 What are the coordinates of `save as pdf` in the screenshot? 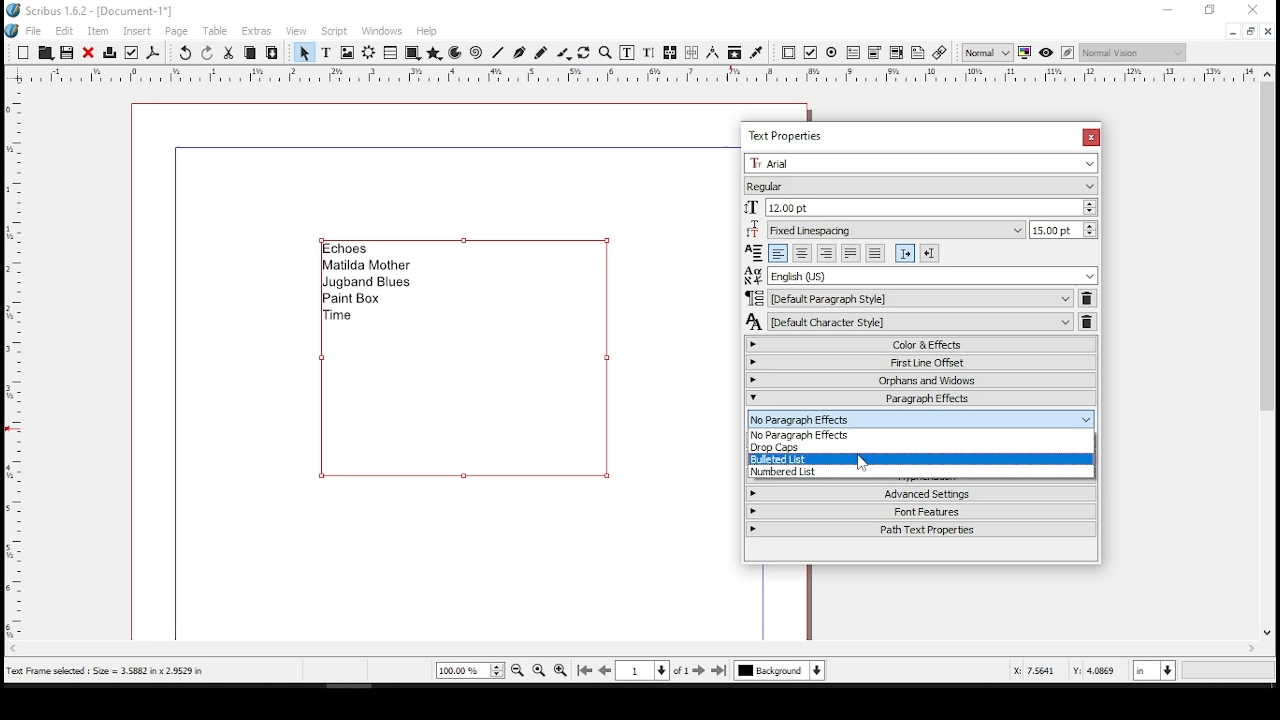 It's located at (154, 53).